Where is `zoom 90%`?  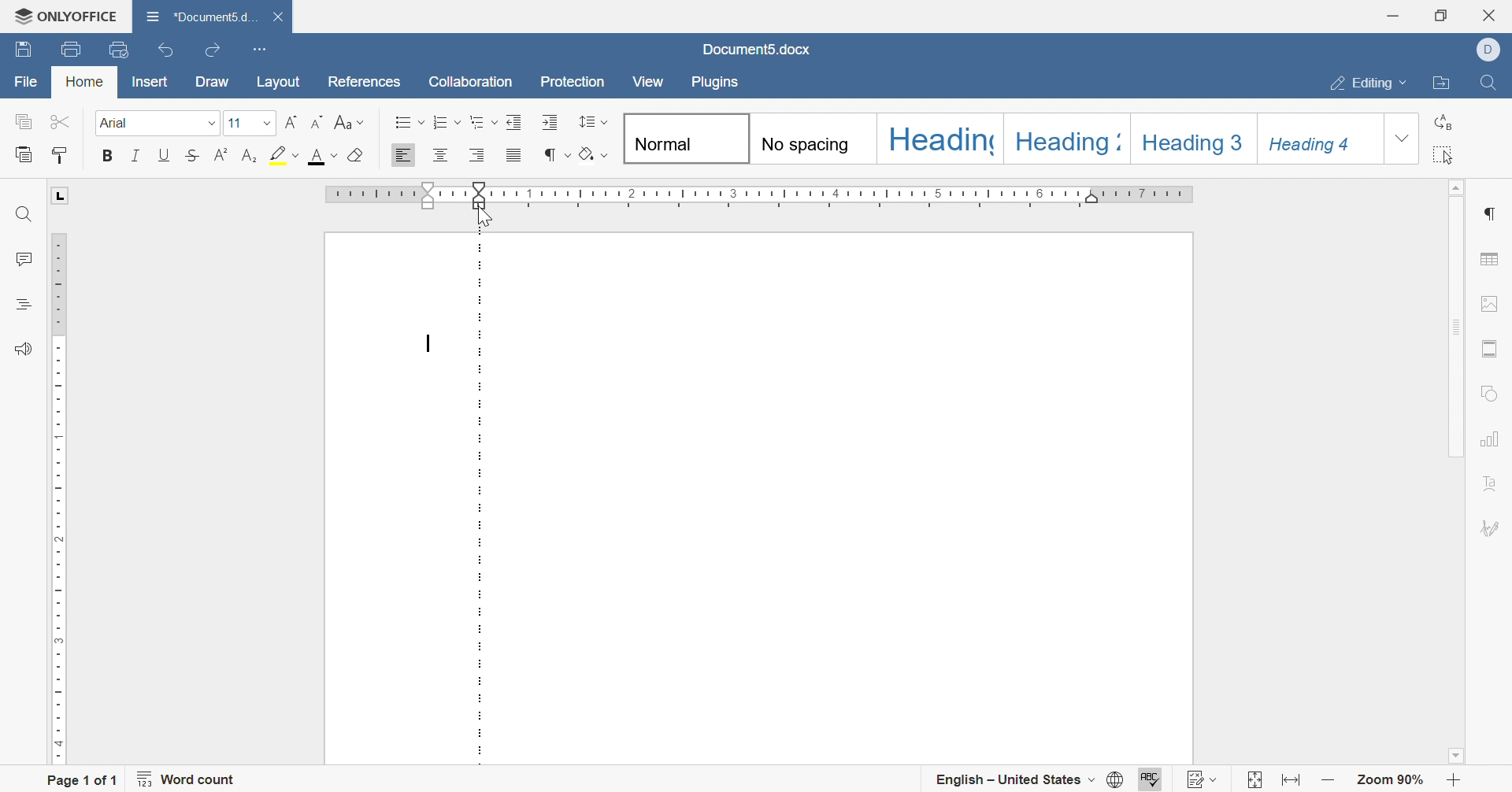
zoom 90% is located at coordinates (1392, 781).